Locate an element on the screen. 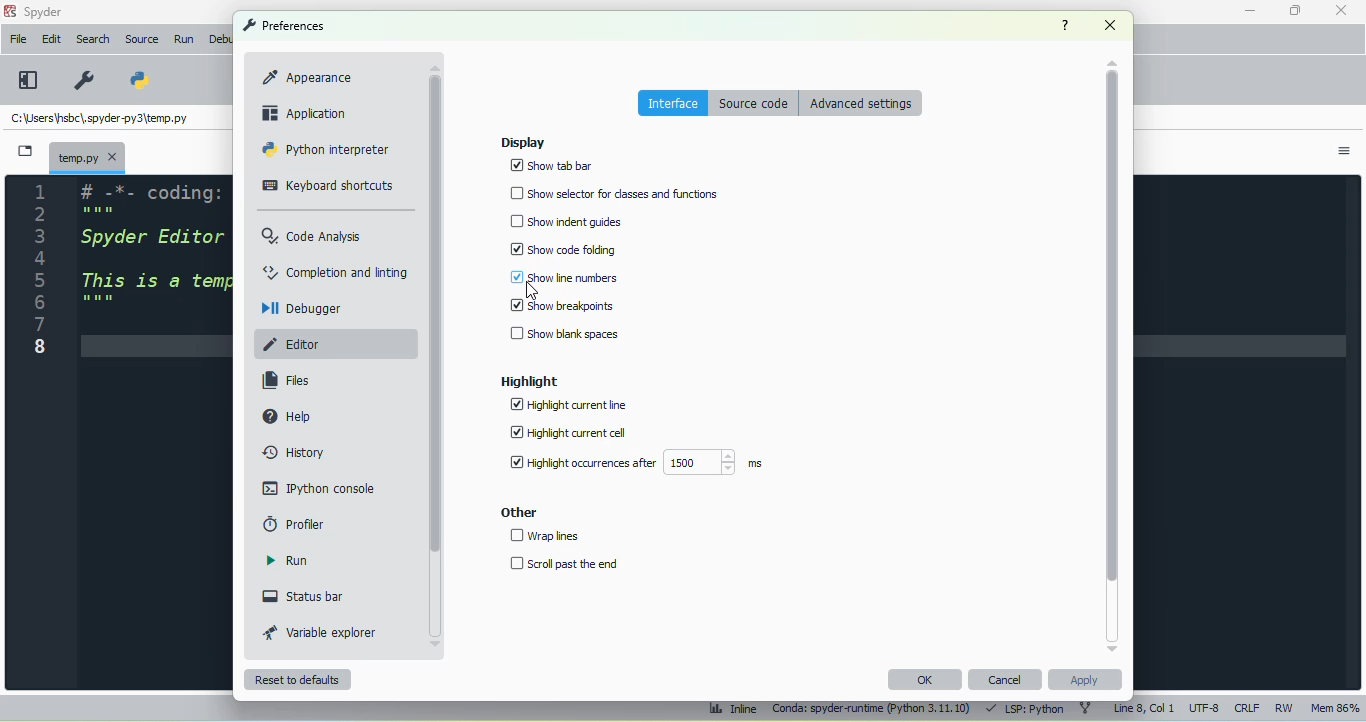 Image resolution: width=1366 pixels, height=722 pixels. line 8, col 1 is located at coordinates (1144, 707).